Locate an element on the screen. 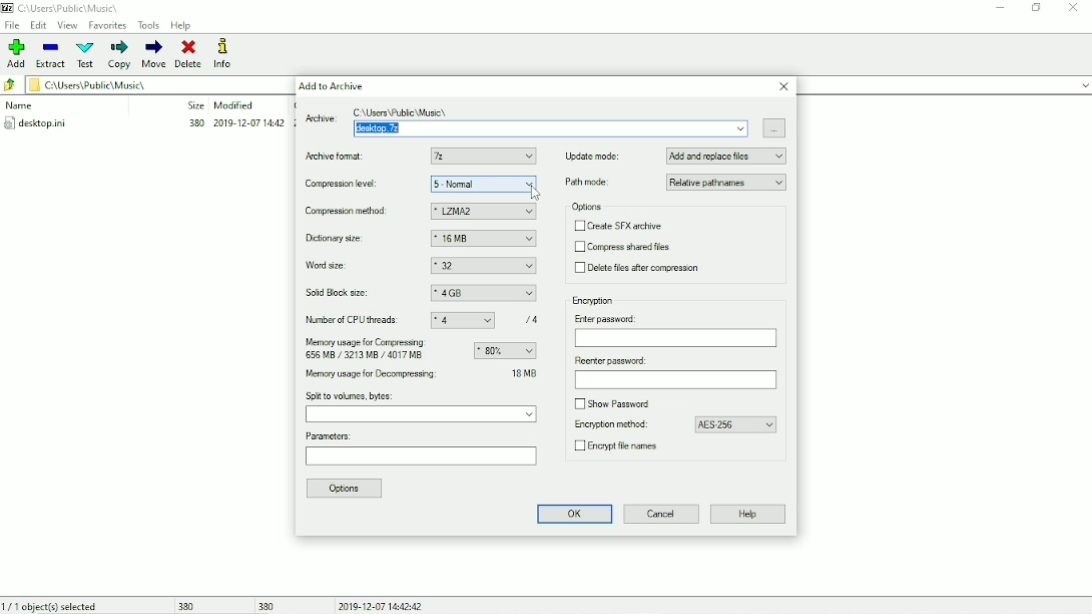  Add to Archive is located at coordinates (335, 86).